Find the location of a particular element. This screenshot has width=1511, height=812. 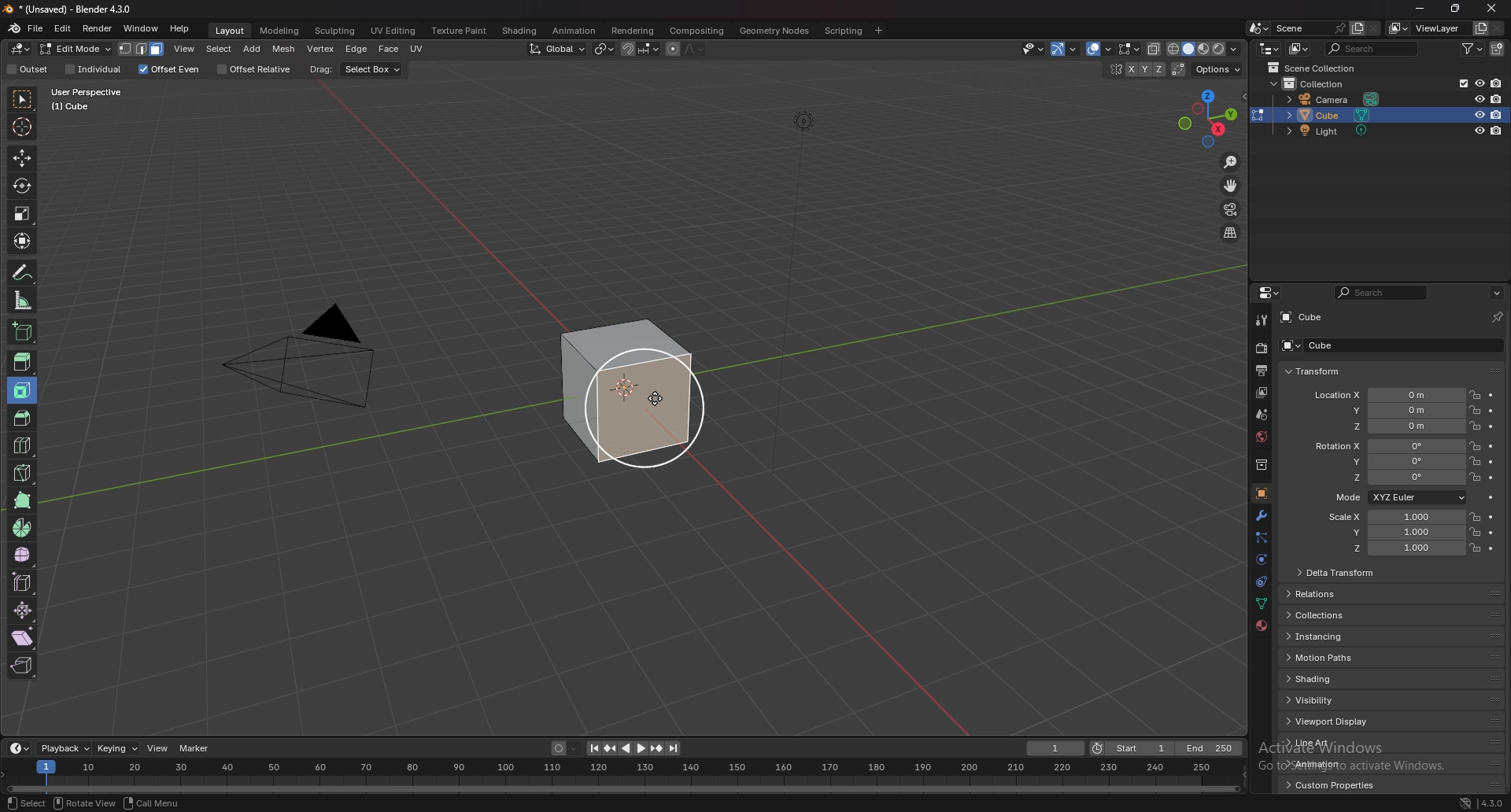

cube is located at coordinates (1312, 345).